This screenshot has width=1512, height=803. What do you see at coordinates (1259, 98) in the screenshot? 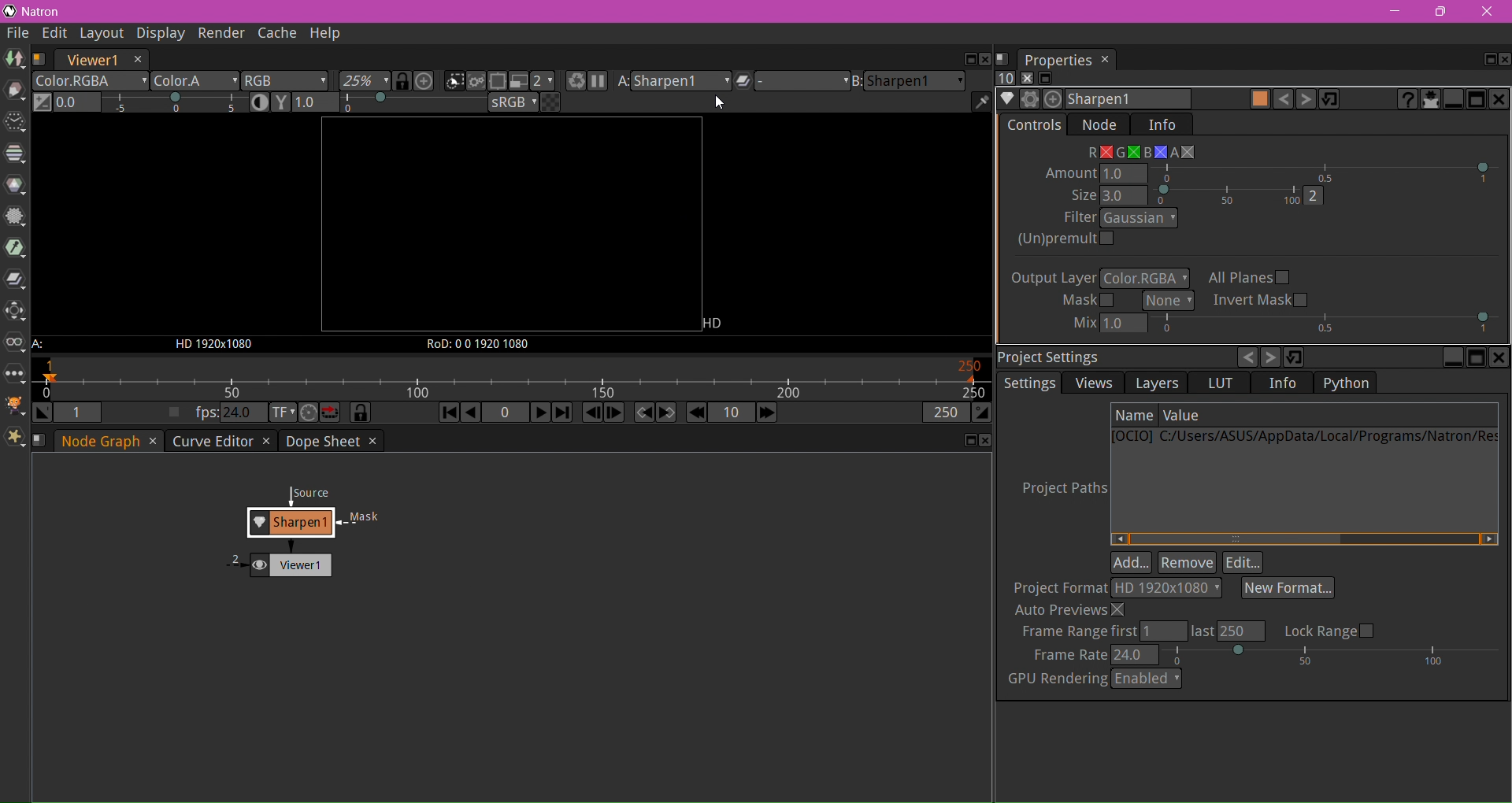
I see `Node color in the nodegraph` at bounding box center [1259, 98].